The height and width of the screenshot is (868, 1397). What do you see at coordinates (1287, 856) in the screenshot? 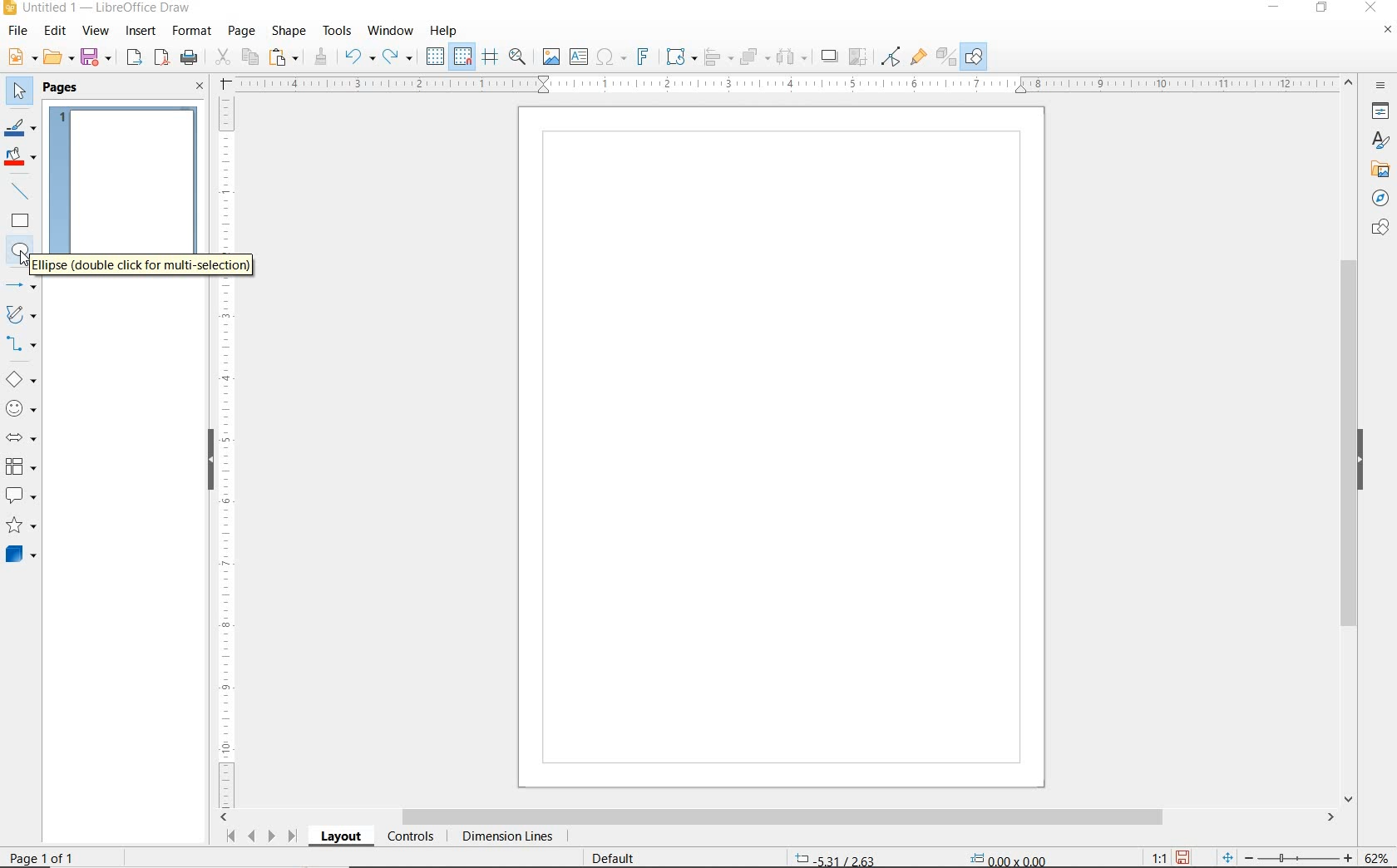
I see `ZOOM OUT OR ZOOM IN` at bounding box center [1287, 856].